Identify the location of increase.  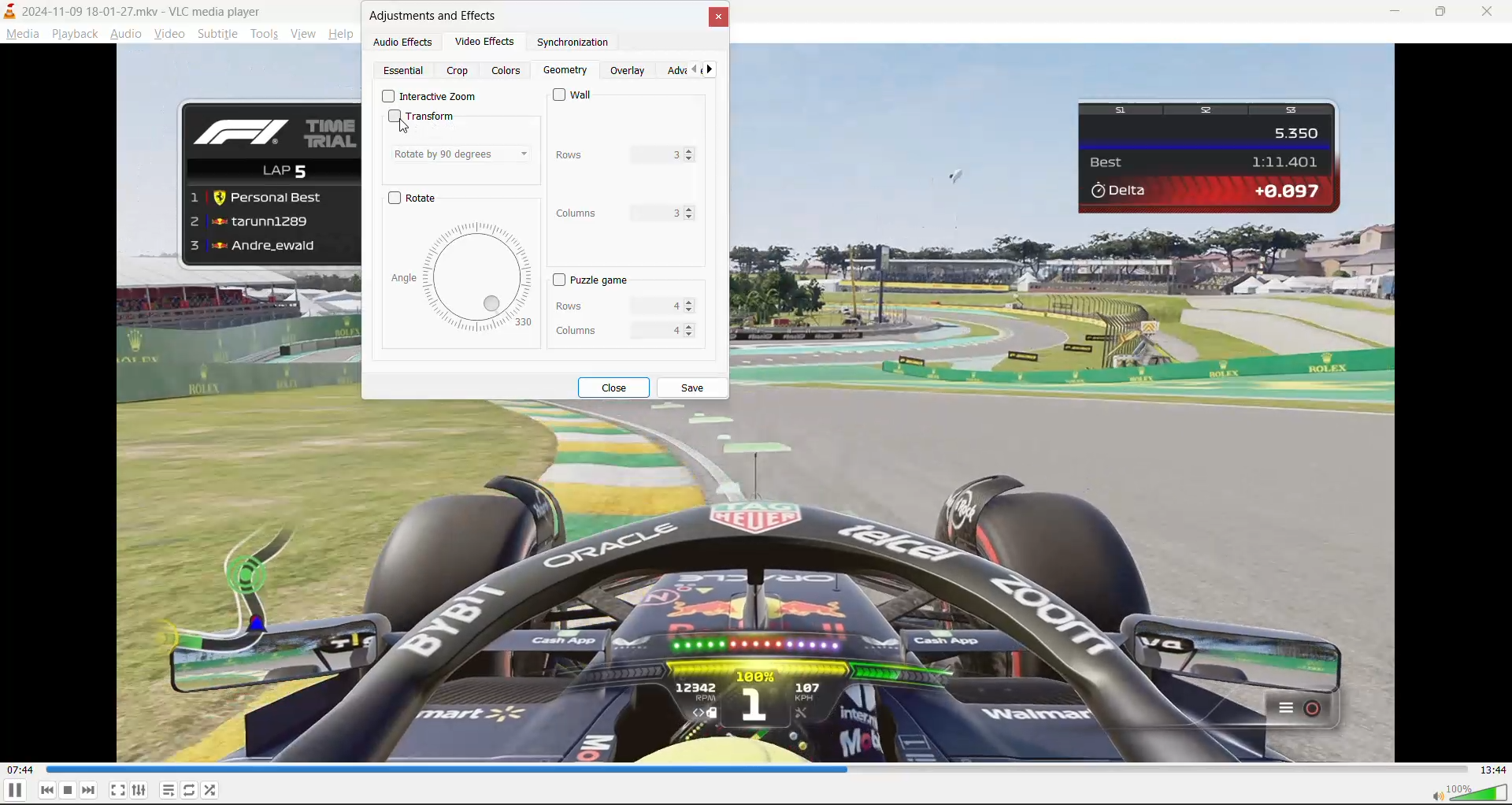
(693, 302).